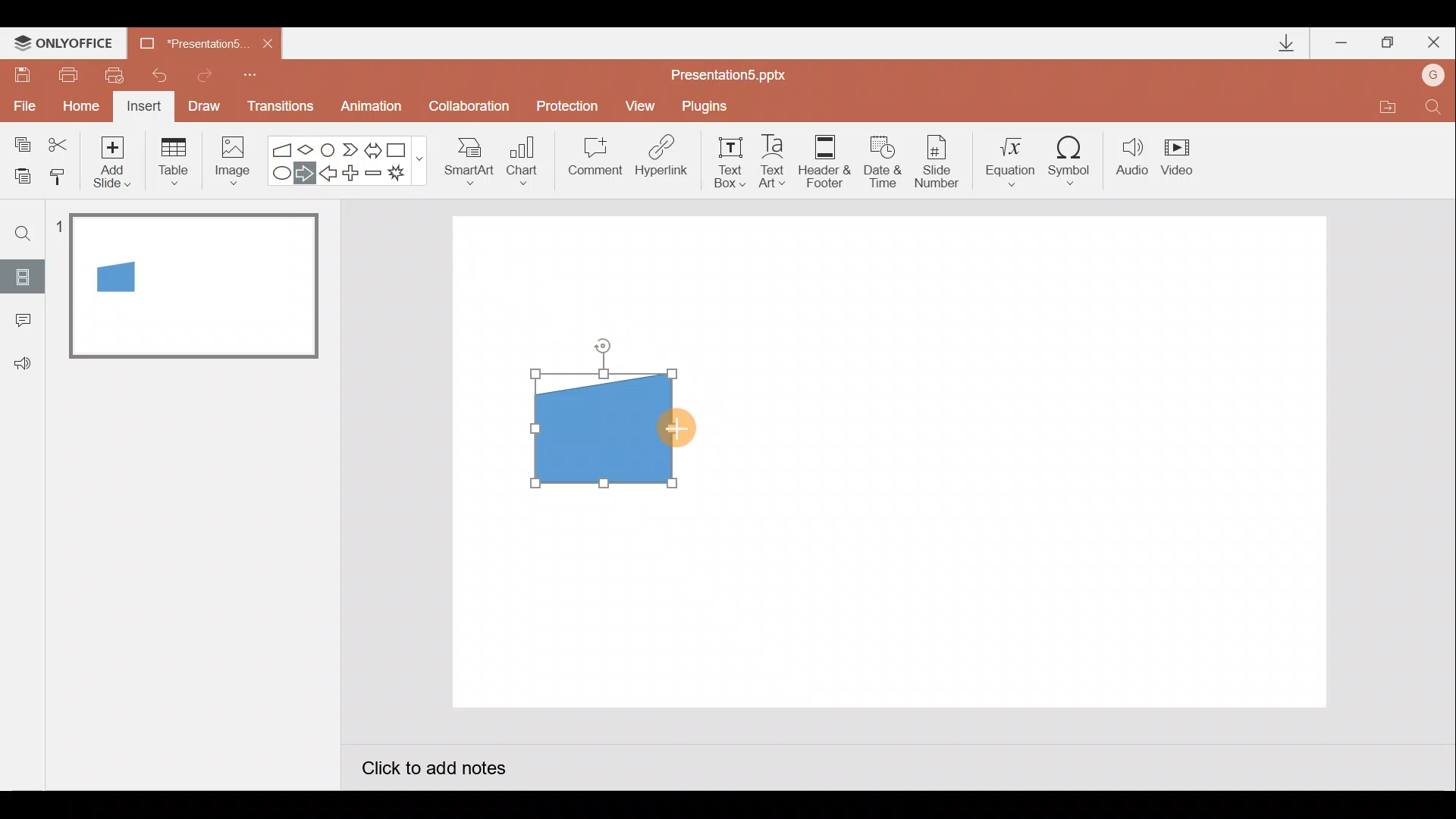 This screenshot has width=1456, height=819. What do you see at coordinates (593, 162) in the screenshot?
I see `Comment` at bounding box center [593, 162].